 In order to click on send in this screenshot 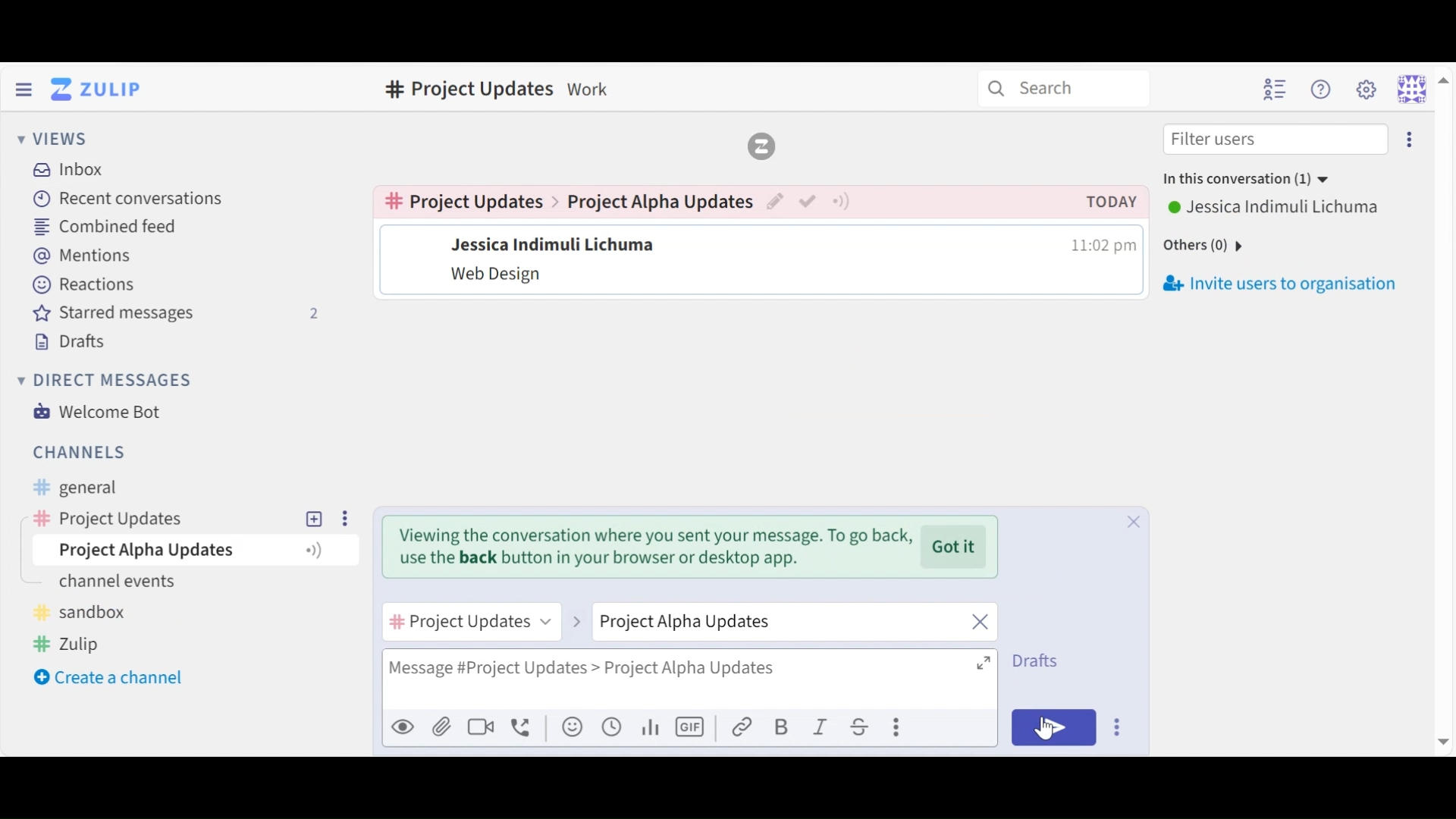, I will do `click(1055, 726)`.